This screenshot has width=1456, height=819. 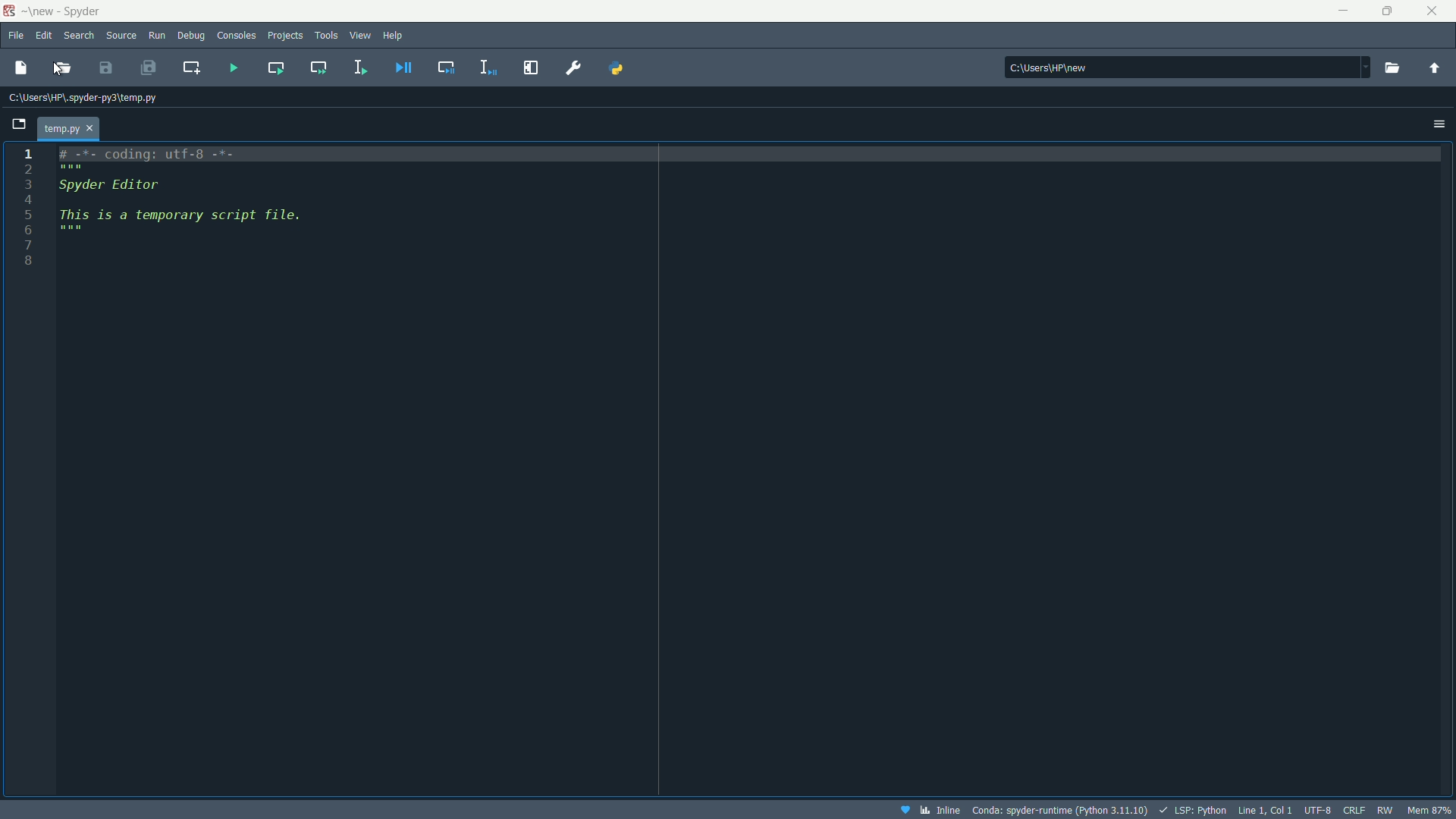 What do you see at coordinates (1193, 810) in the screenshot?
I see `LSP:Python` at bounding box center [1193, 810].